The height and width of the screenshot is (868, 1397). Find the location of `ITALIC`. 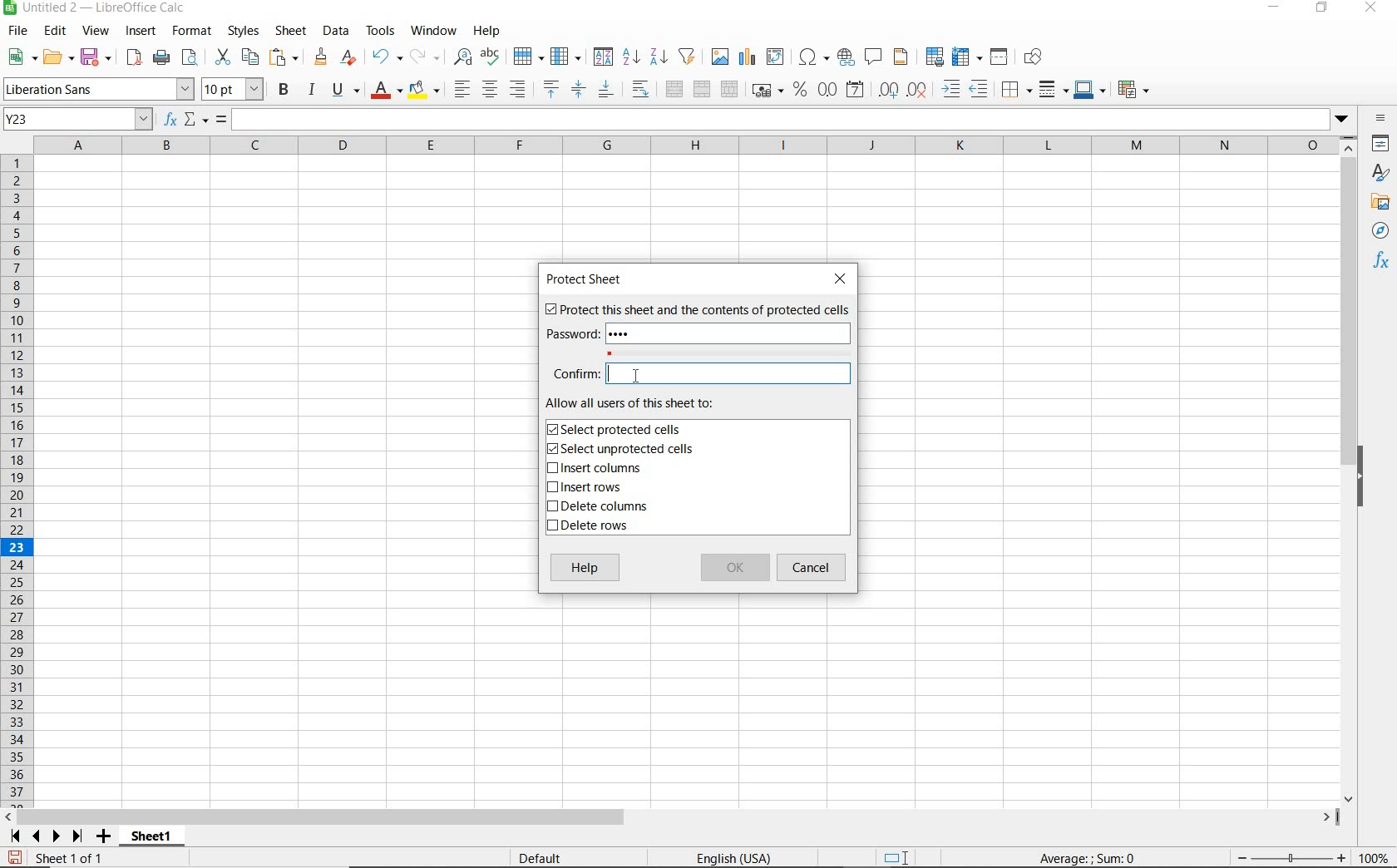

ITALIC is located at coordinates (313, 91).